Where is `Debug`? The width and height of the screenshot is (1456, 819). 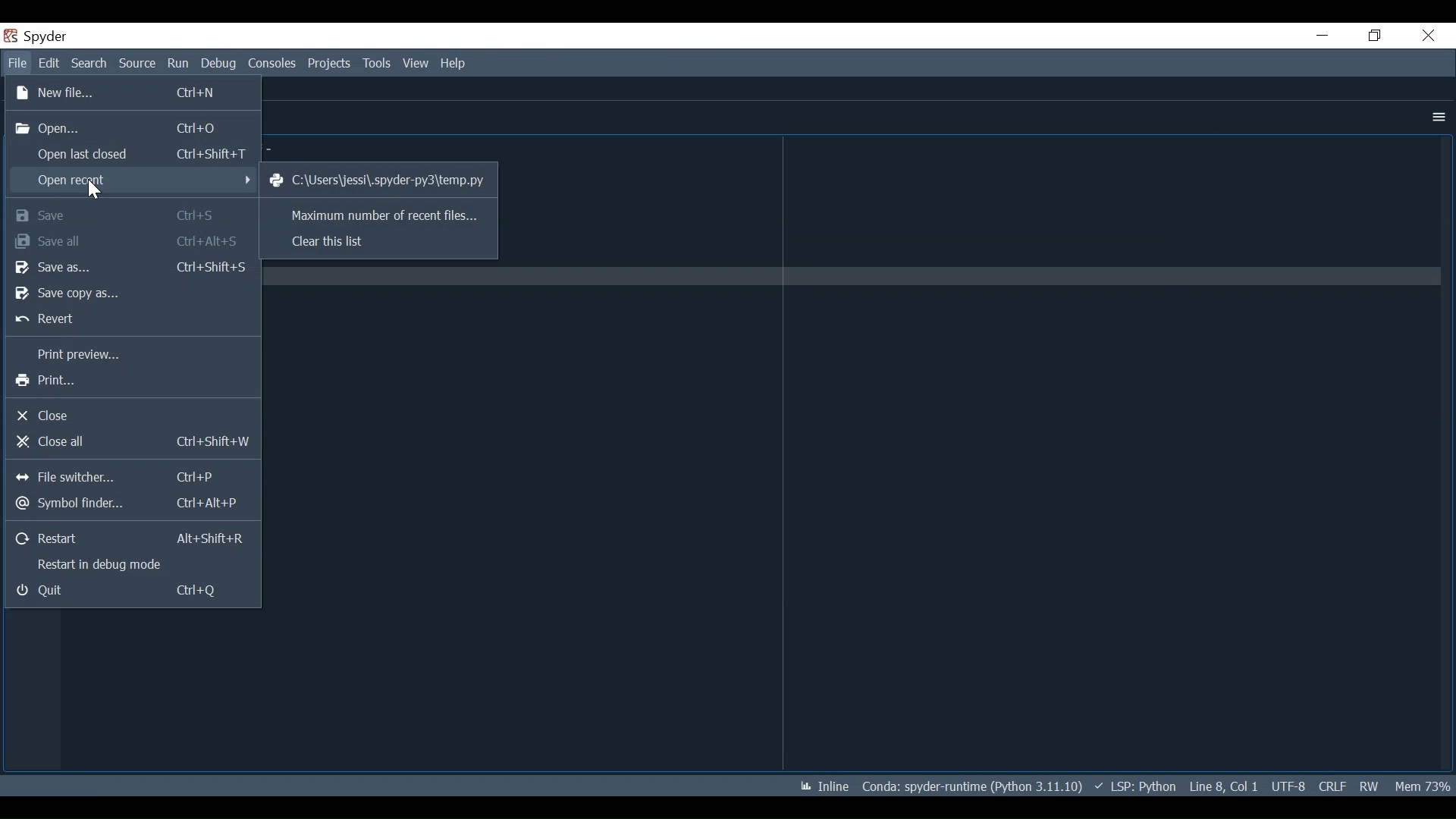
Debug is located at coordinates (220, 64).